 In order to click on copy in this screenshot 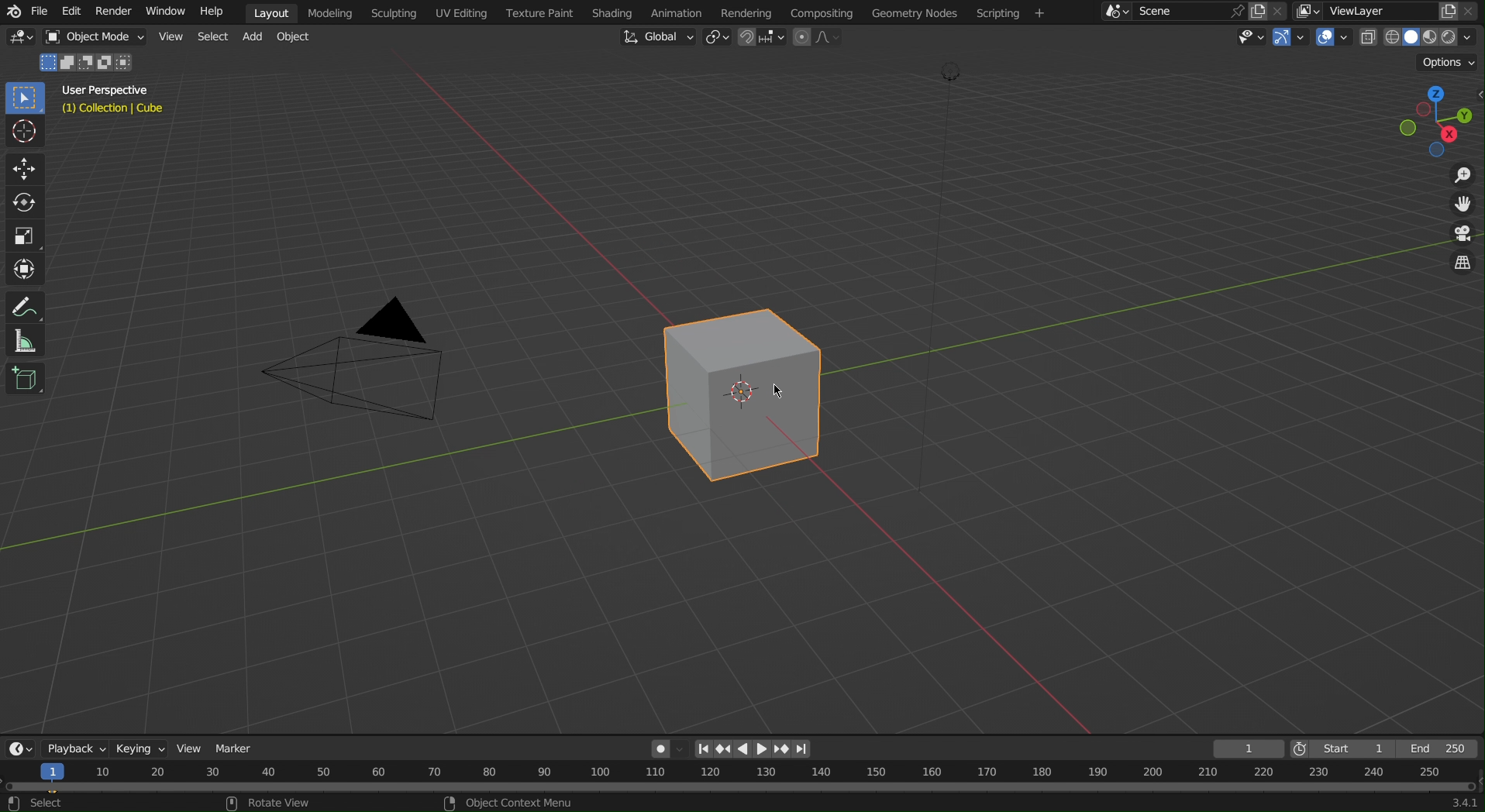, I will do `click(1259, 11)`.